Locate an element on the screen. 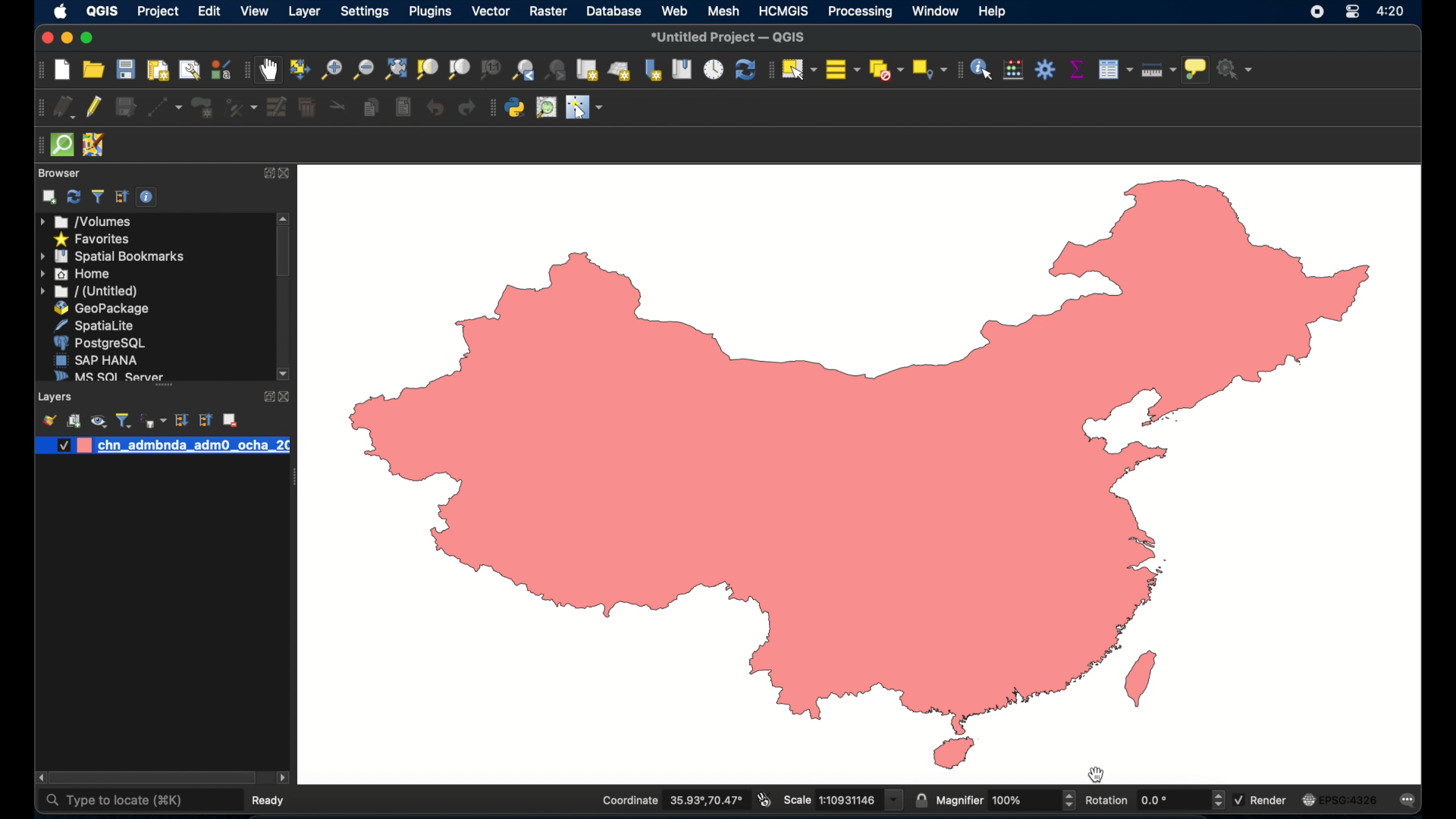 This screenshot has height=819, width=1456. open layout manager is located at coordinates (188, 71).